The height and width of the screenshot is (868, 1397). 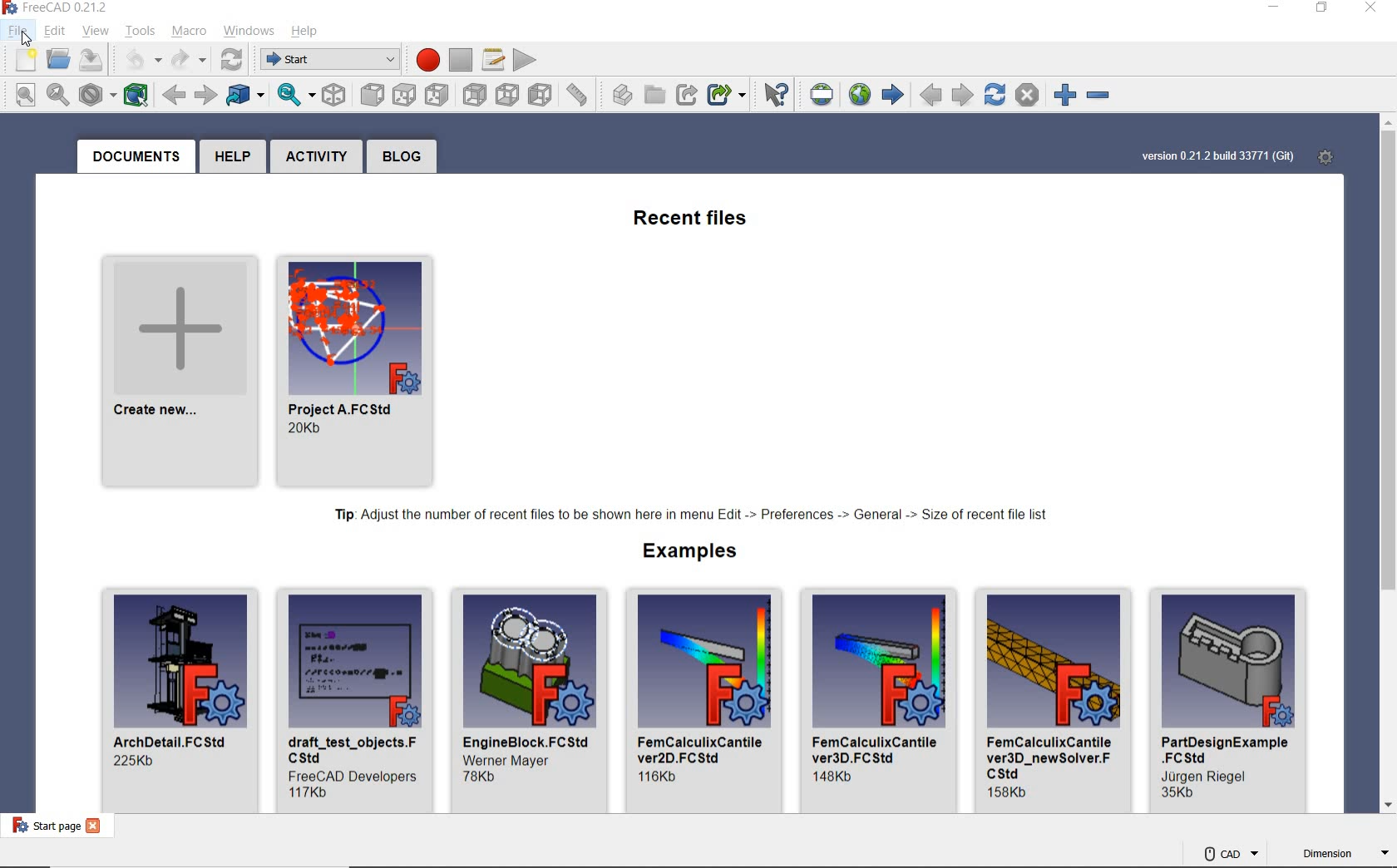 What do you see at coordinates (310, 792) in the screenshot?
I see `size` at bounding box center [310, 792].